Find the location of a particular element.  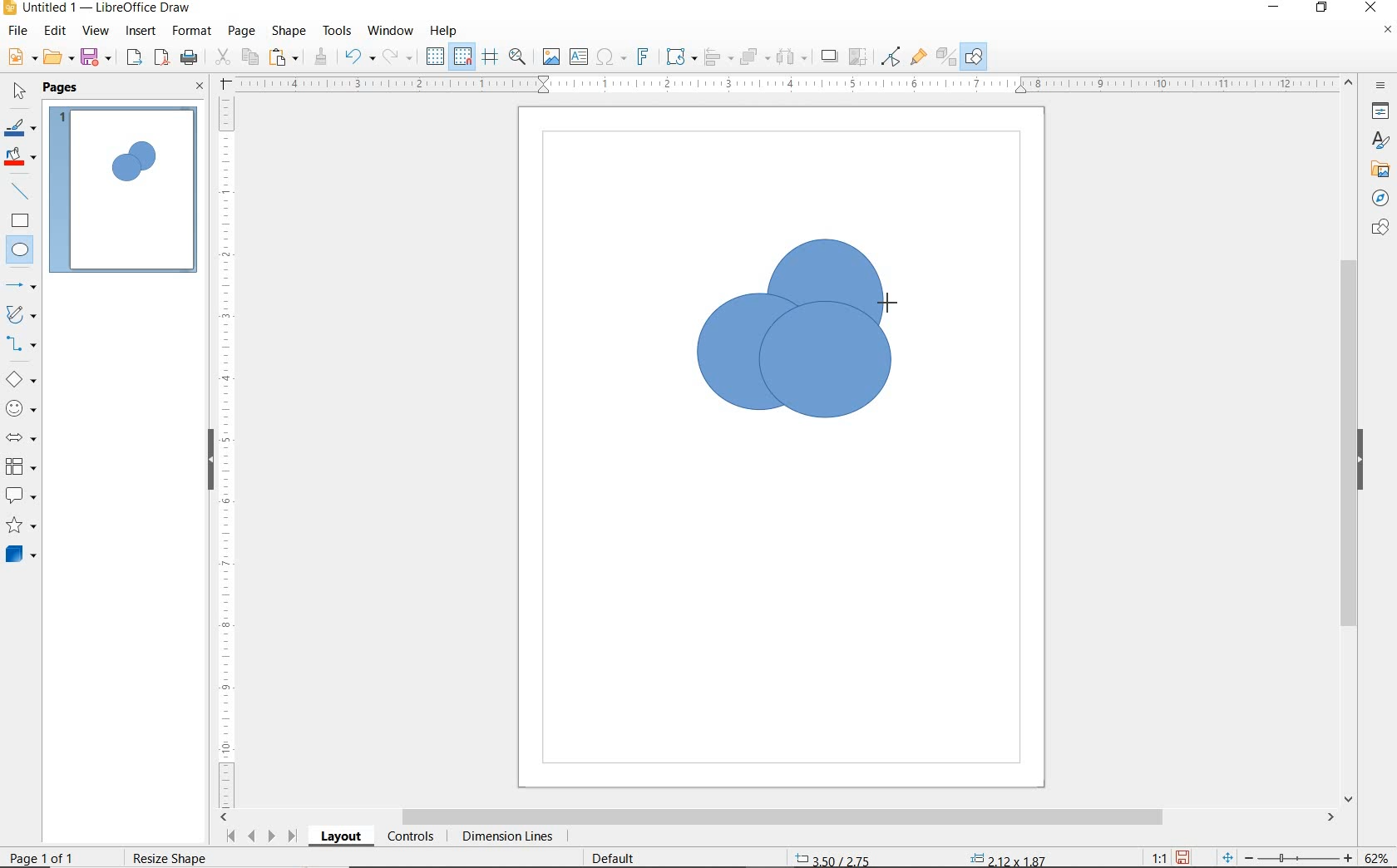

SAVE is located at coordinates (98, 57).